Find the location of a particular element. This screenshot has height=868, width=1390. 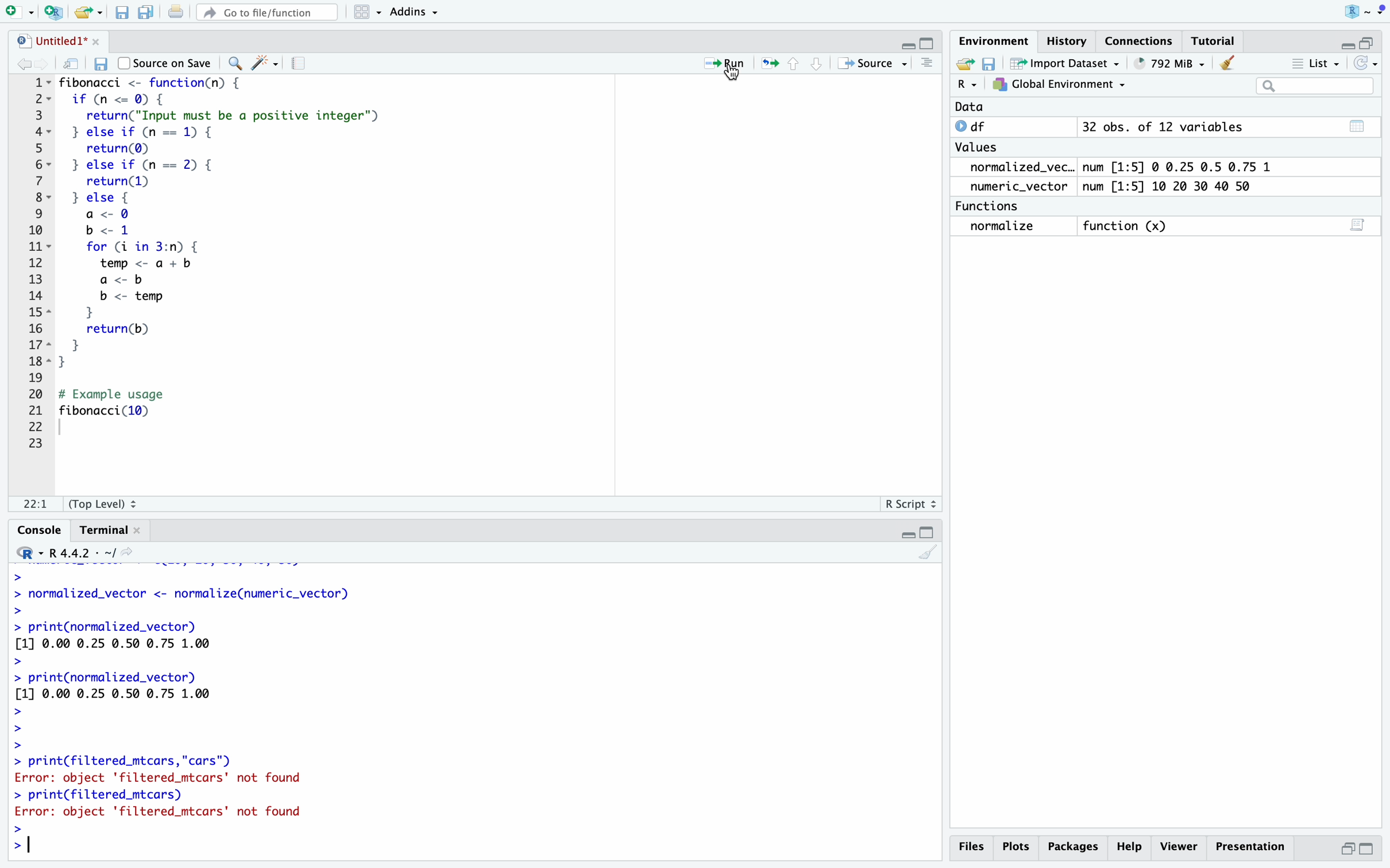

numeric_vector is located at coordinates (1016, 187).